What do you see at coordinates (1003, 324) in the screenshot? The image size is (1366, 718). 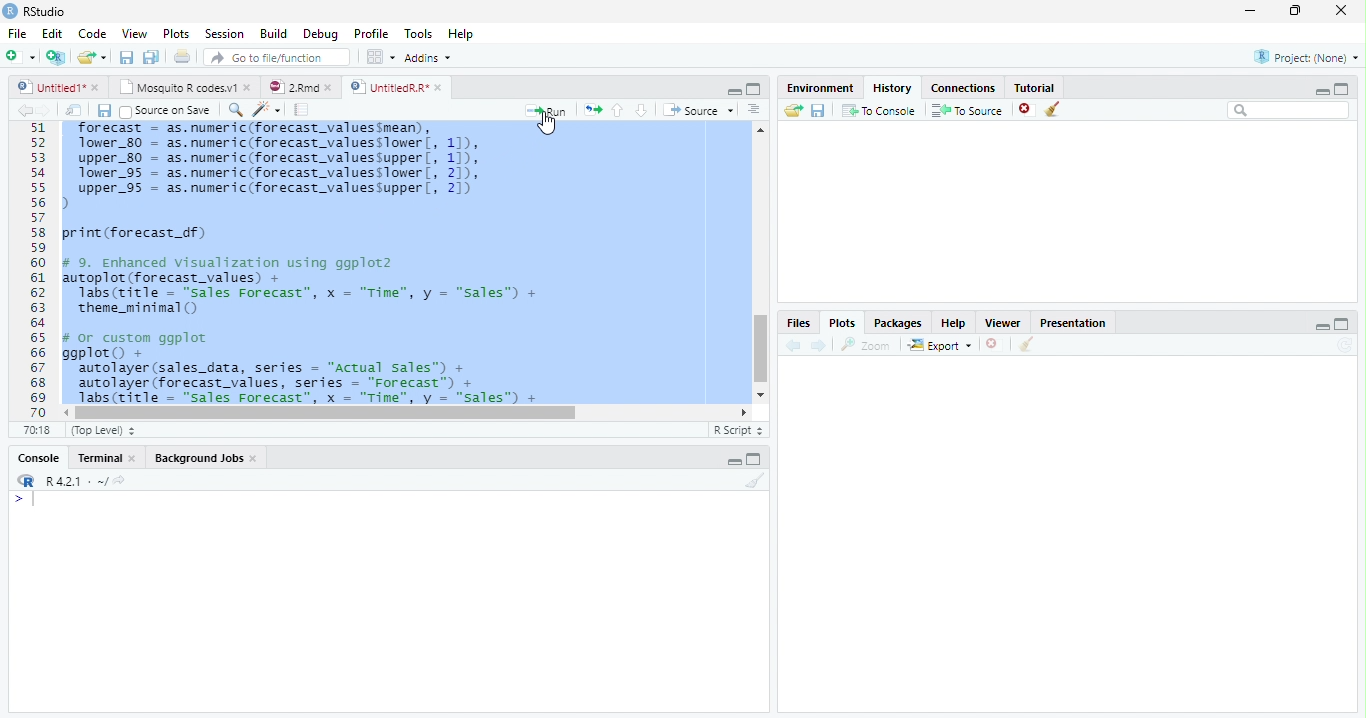 I see `viewer` at bounding box center [1003, 324].